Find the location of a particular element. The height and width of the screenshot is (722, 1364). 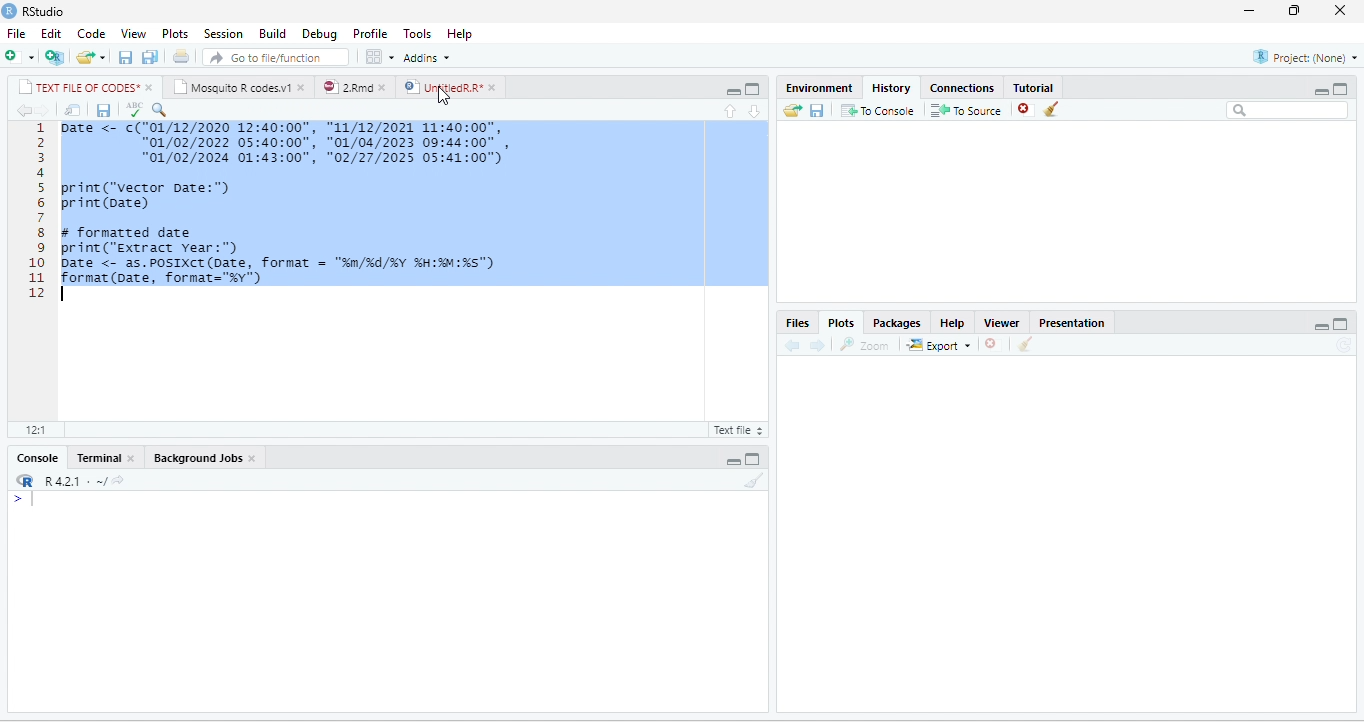

save is located at coordinates (126, 57).